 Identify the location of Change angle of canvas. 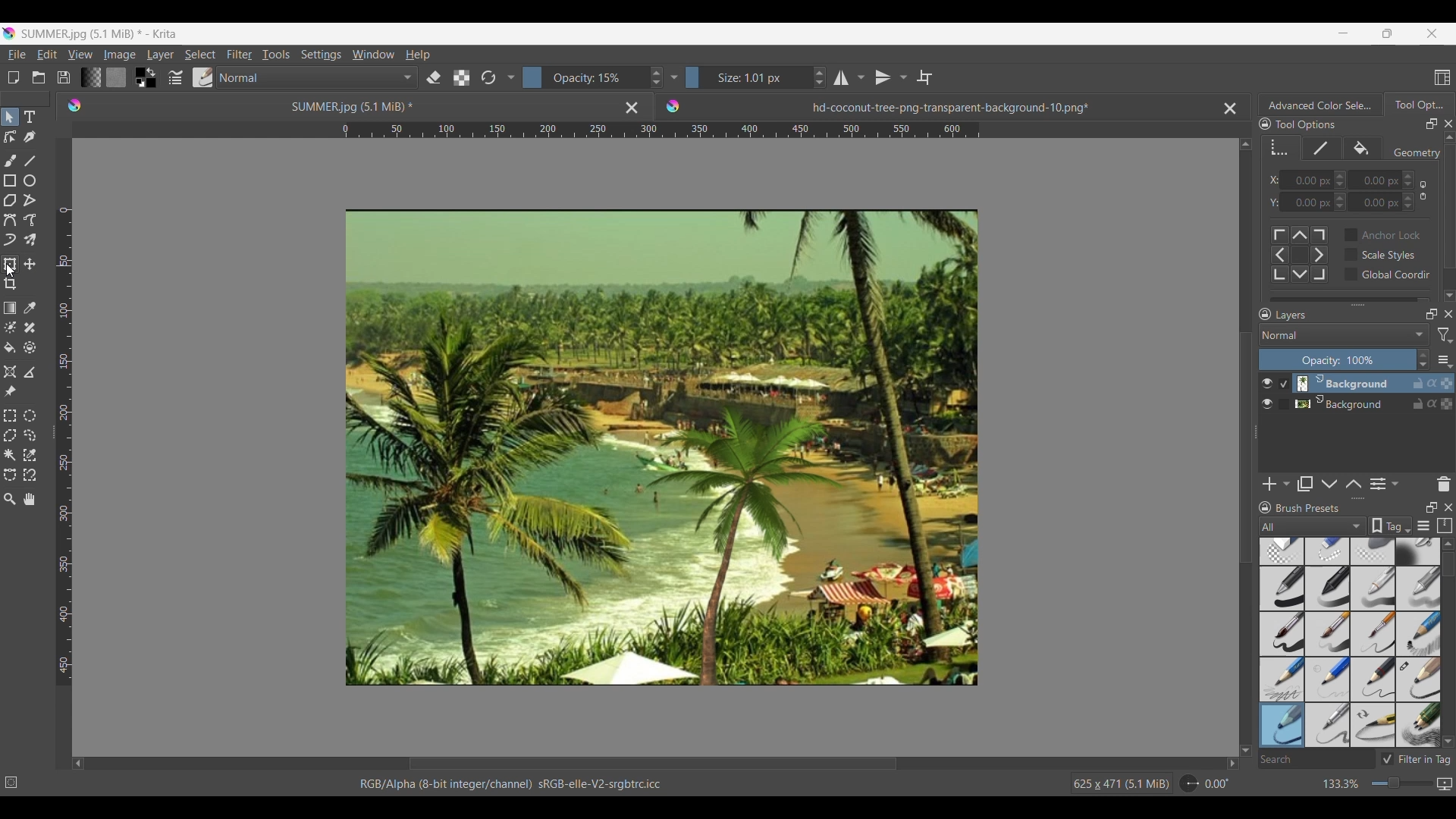
(1206, 783).